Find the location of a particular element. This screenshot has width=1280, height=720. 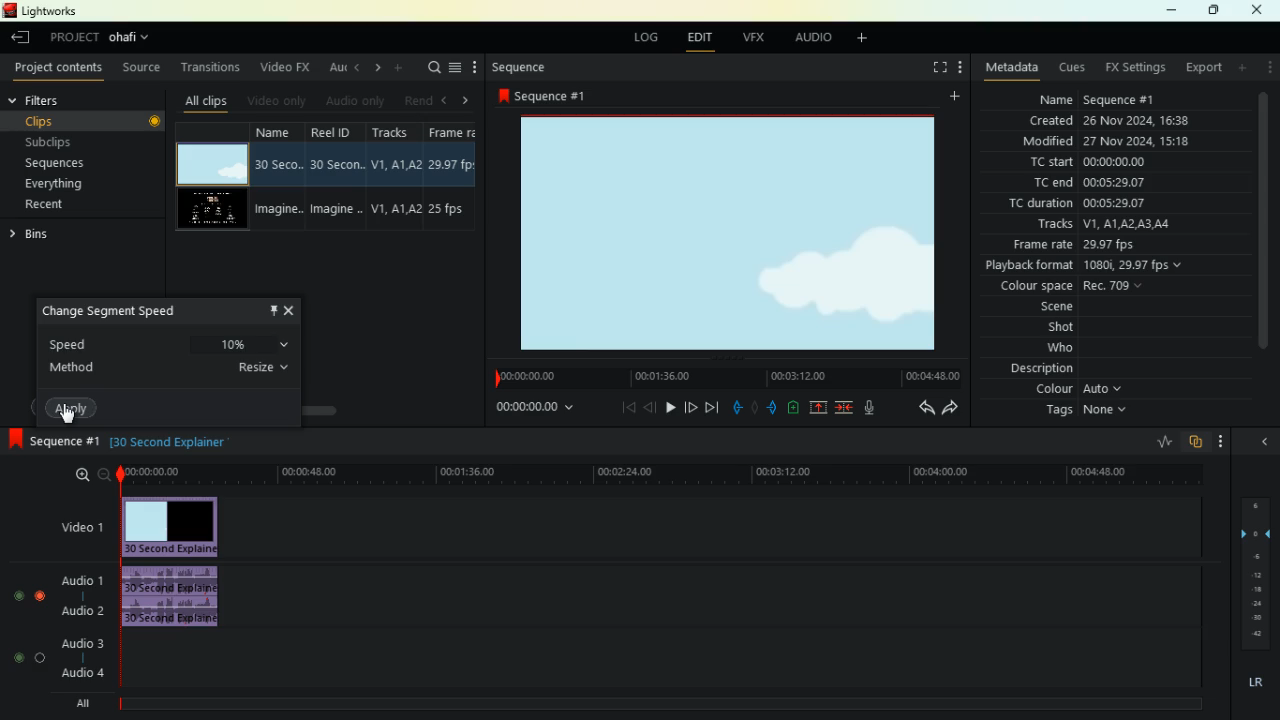

image is located at coordinates (731, 232).